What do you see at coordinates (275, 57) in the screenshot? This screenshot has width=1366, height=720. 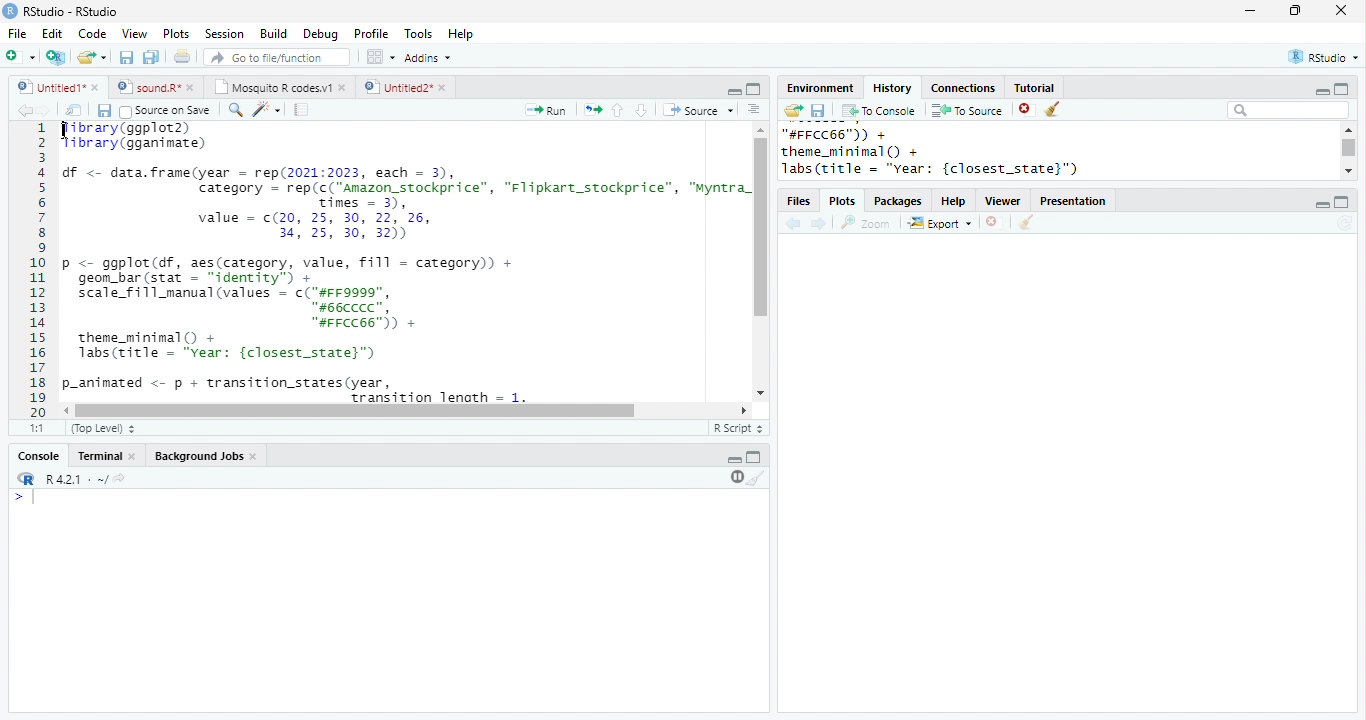 I see `search file` at bounding box center [275, 57].